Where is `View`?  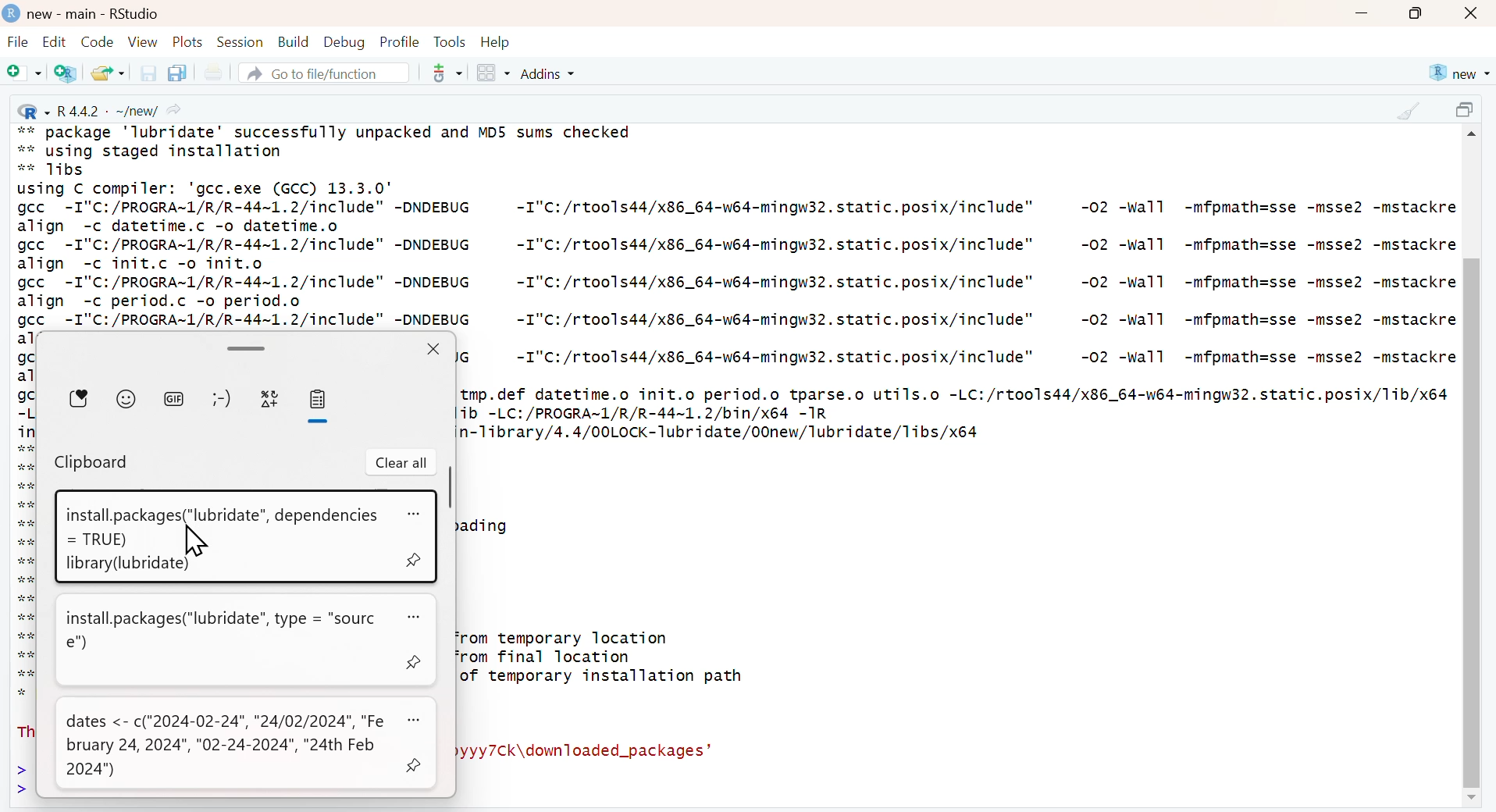 View is located at coordinates (143, 41).